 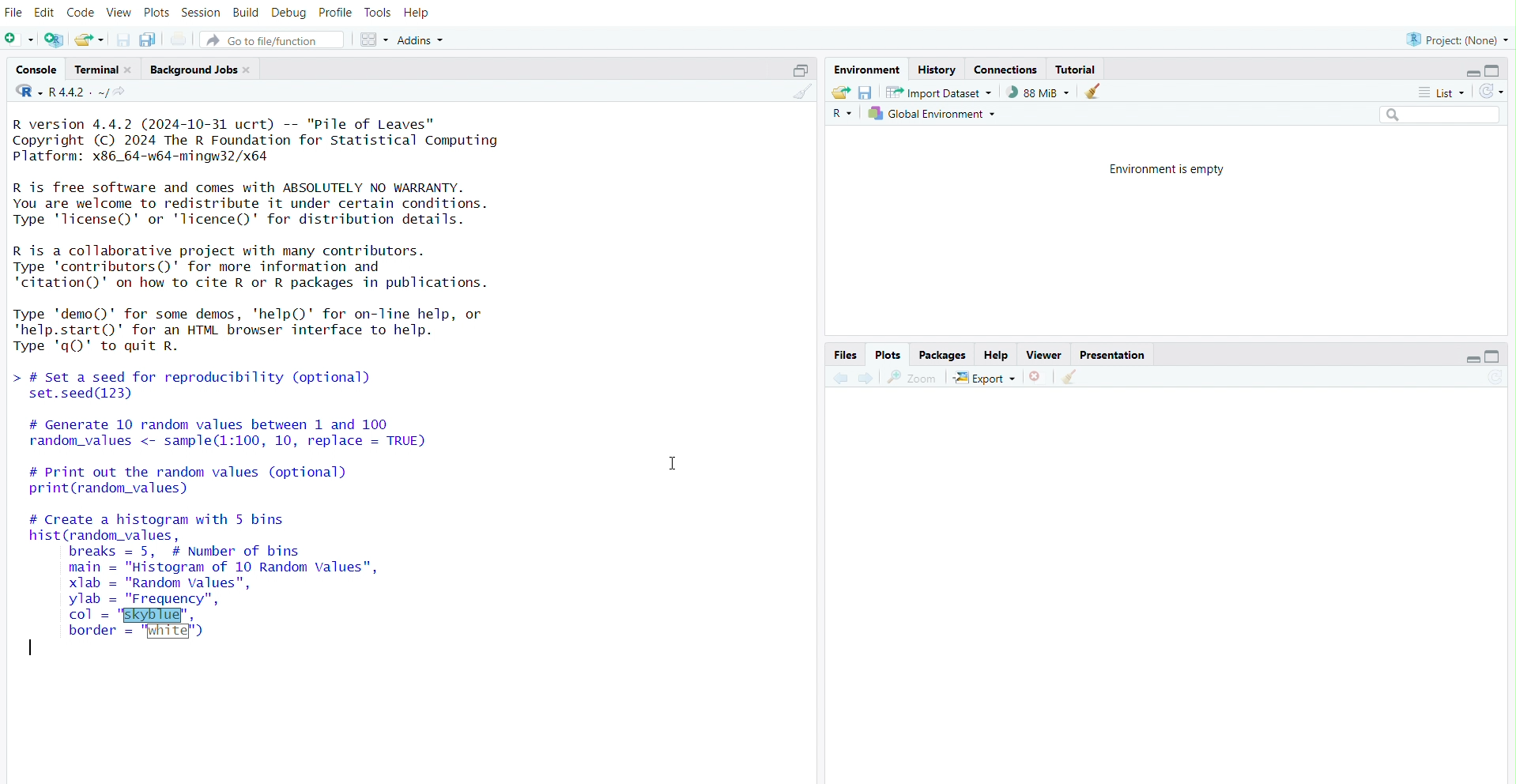 I want to click on connections, so click(x=1006, y=68).